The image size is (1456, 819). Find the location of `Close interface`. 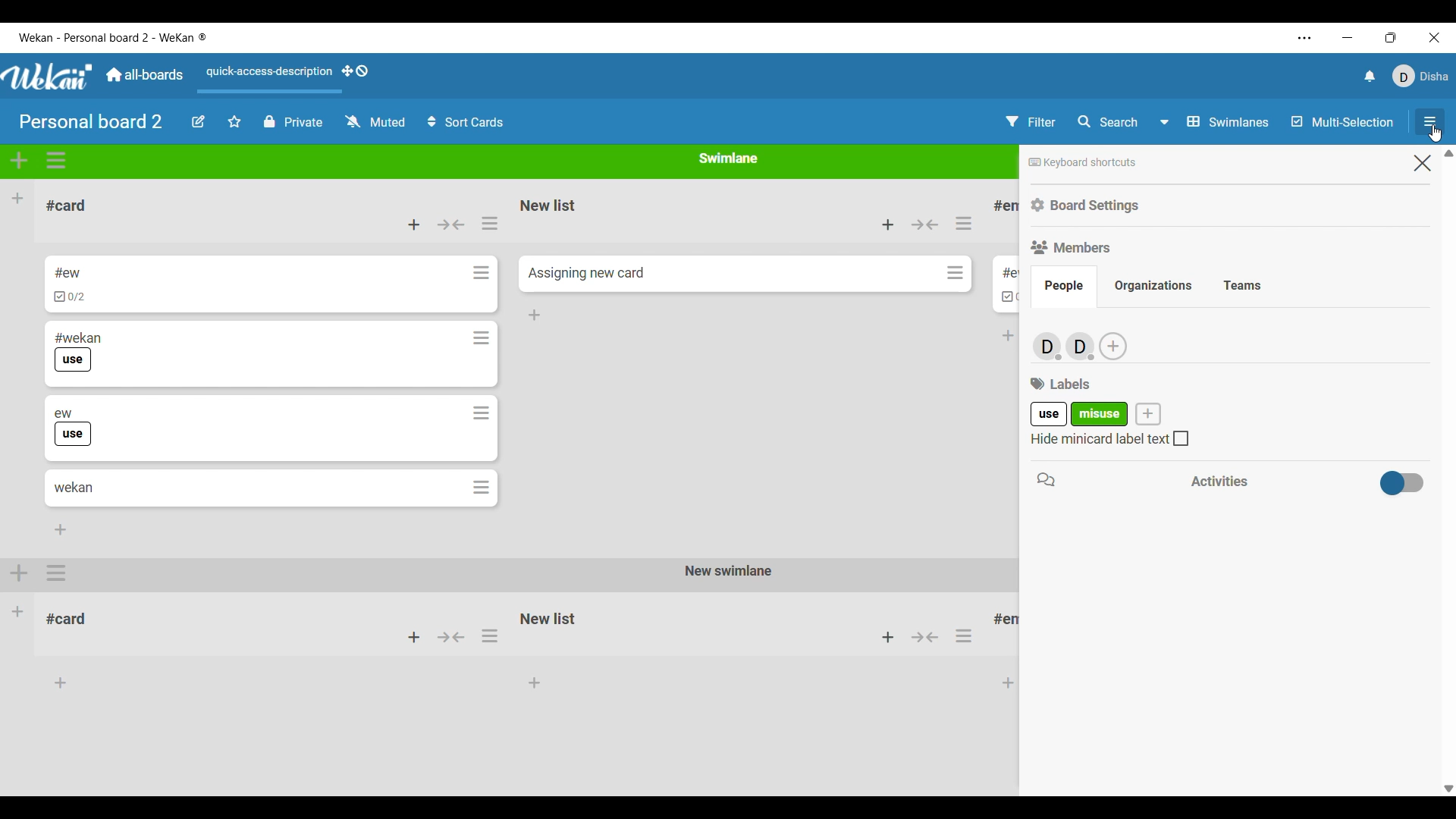

Close interface is located at coordinates (1435, 38).